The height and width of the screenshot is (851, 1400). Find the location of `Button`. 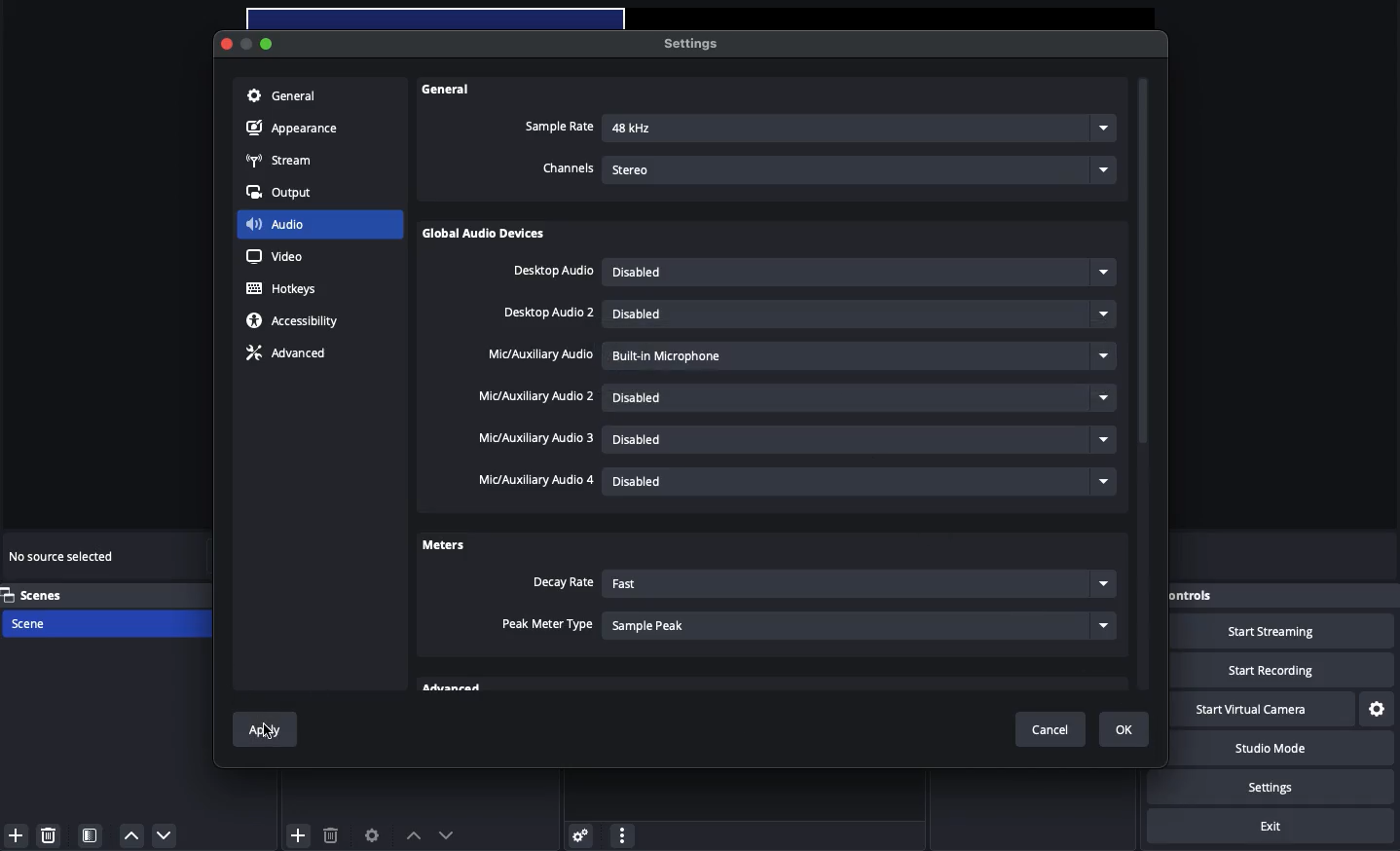

Button is located at coordinates (250, 46).